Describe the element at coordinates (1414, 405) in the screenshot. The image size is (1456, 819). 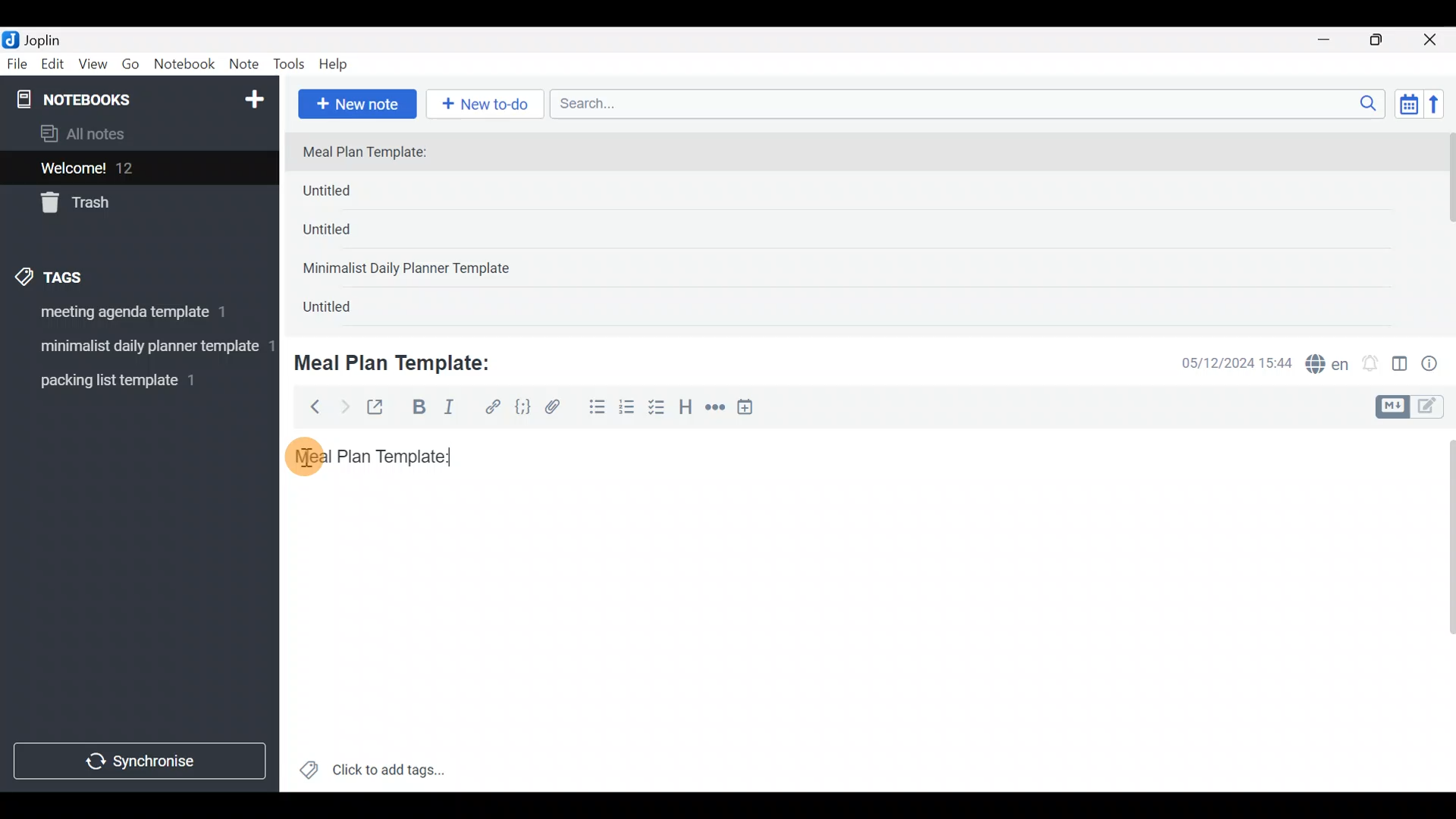
I see `Toggle editors` at that location.